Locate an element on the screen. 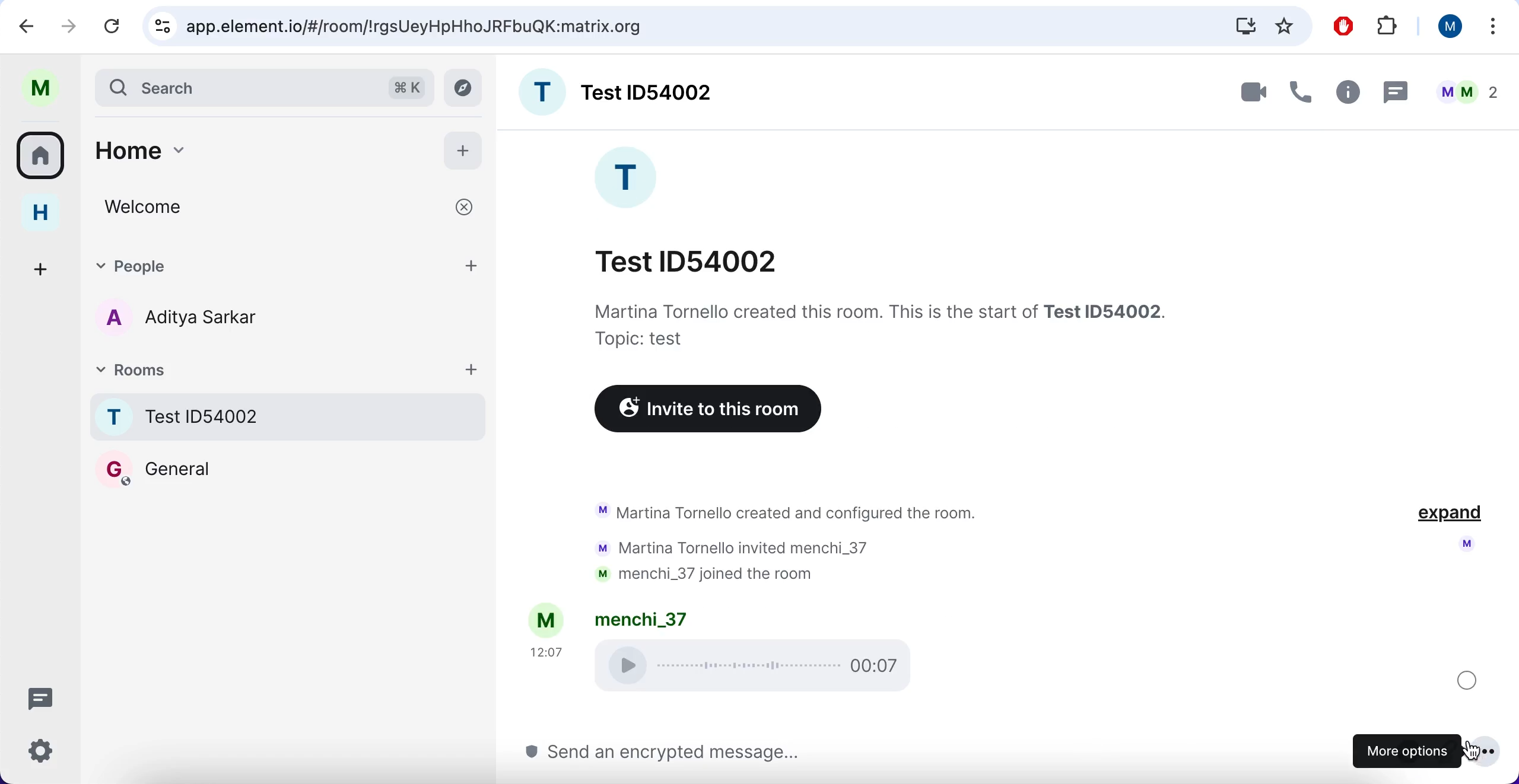  people is located at coordinates (290, 265).